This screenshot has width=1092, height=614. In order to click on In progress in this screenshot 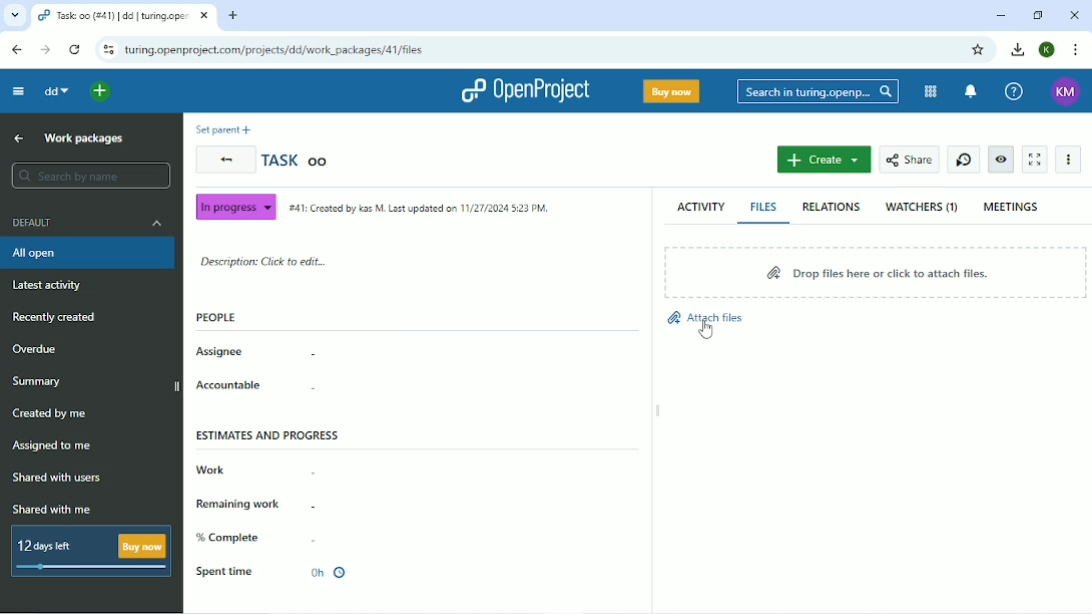, I will do `click(237, 207)`.